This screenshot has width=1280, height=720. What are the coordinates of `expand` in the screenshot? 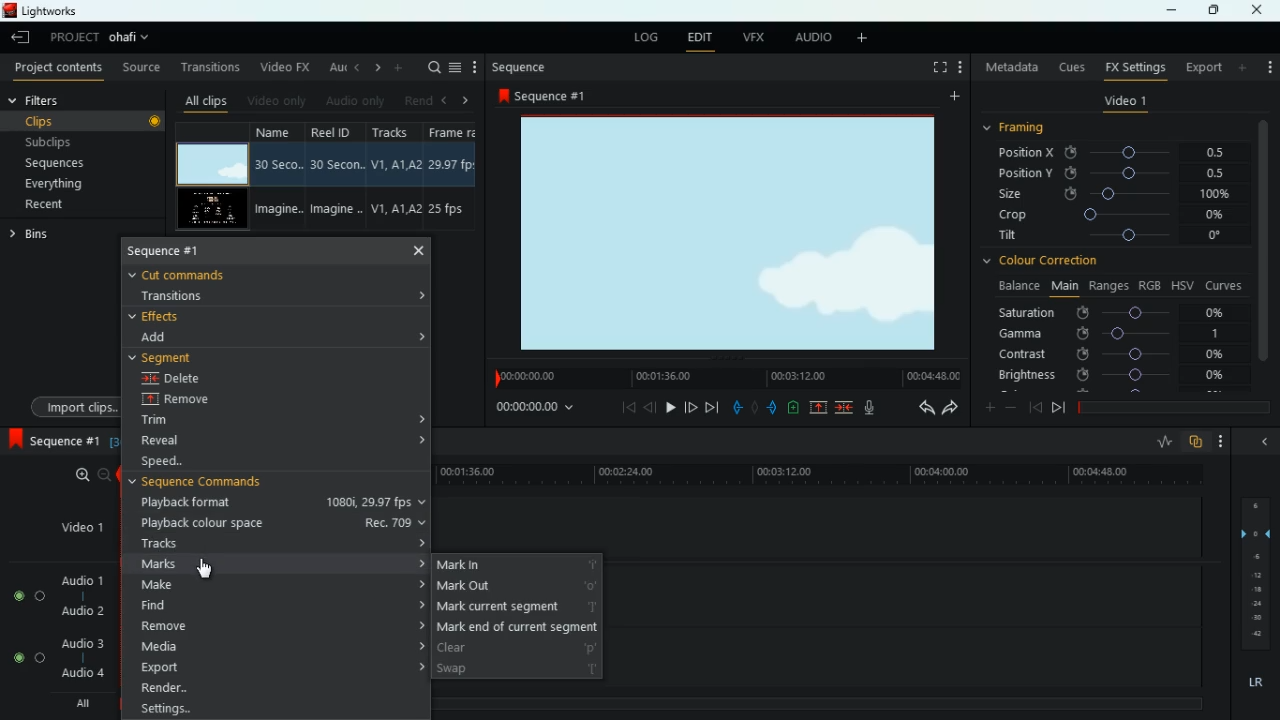 It's located at (416, 296).